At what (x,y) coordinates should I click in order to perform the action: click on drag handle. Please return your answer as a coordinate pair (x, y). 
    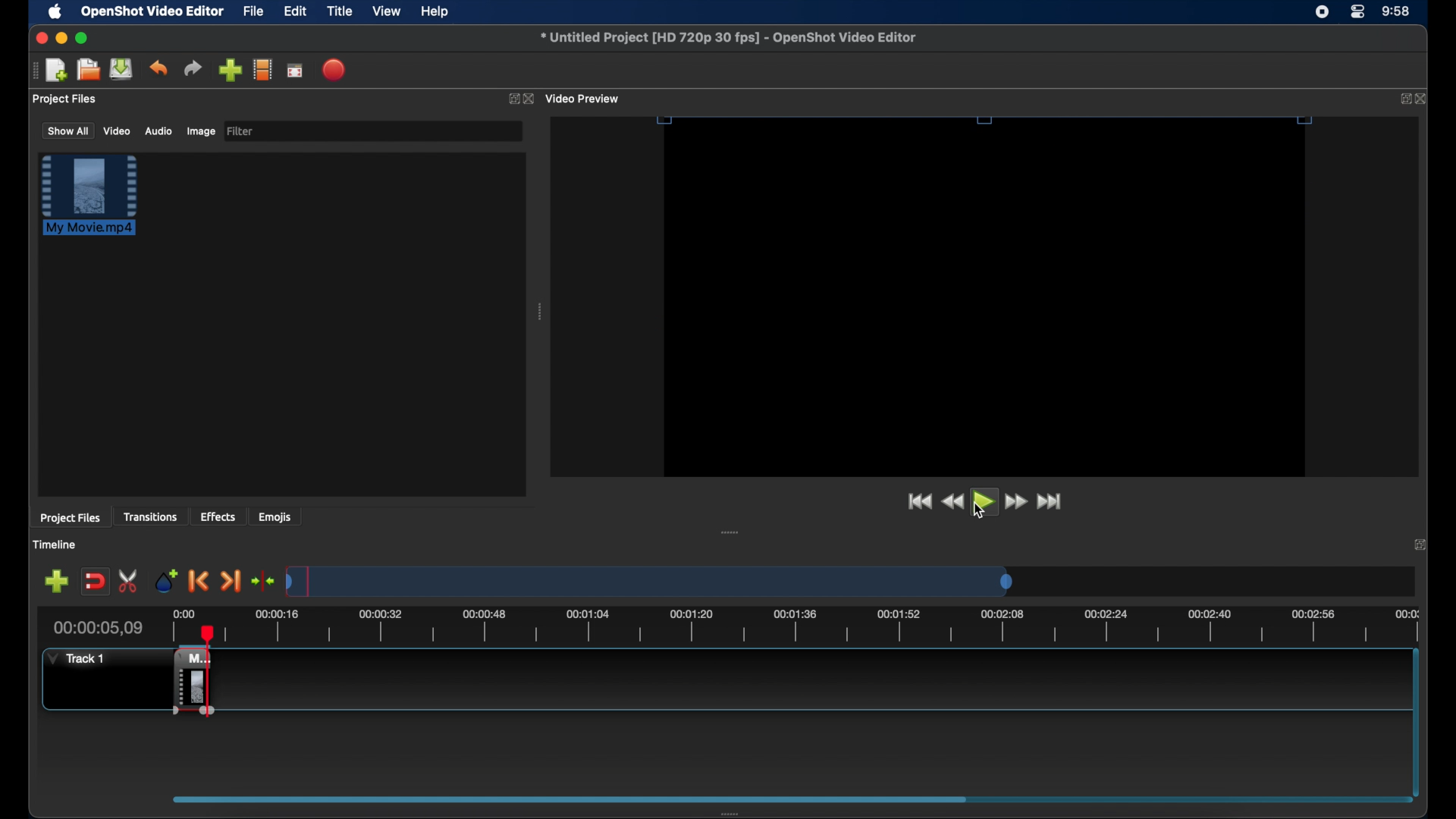
    Looking at the image, I should click on (735, 813).